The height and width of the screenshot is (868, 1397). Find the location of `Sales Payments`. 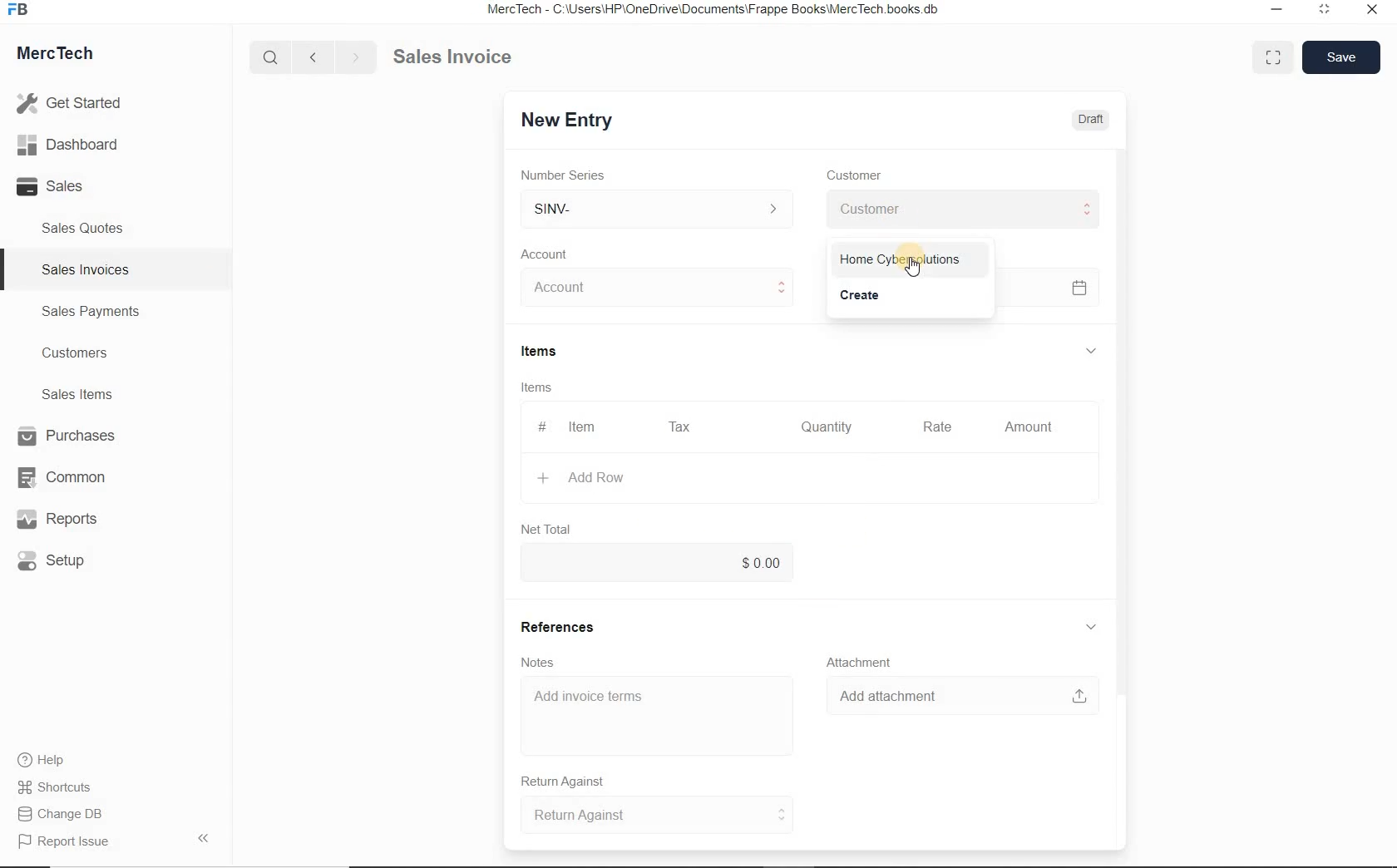

Sales Payments is located at coordinates (88, 312).